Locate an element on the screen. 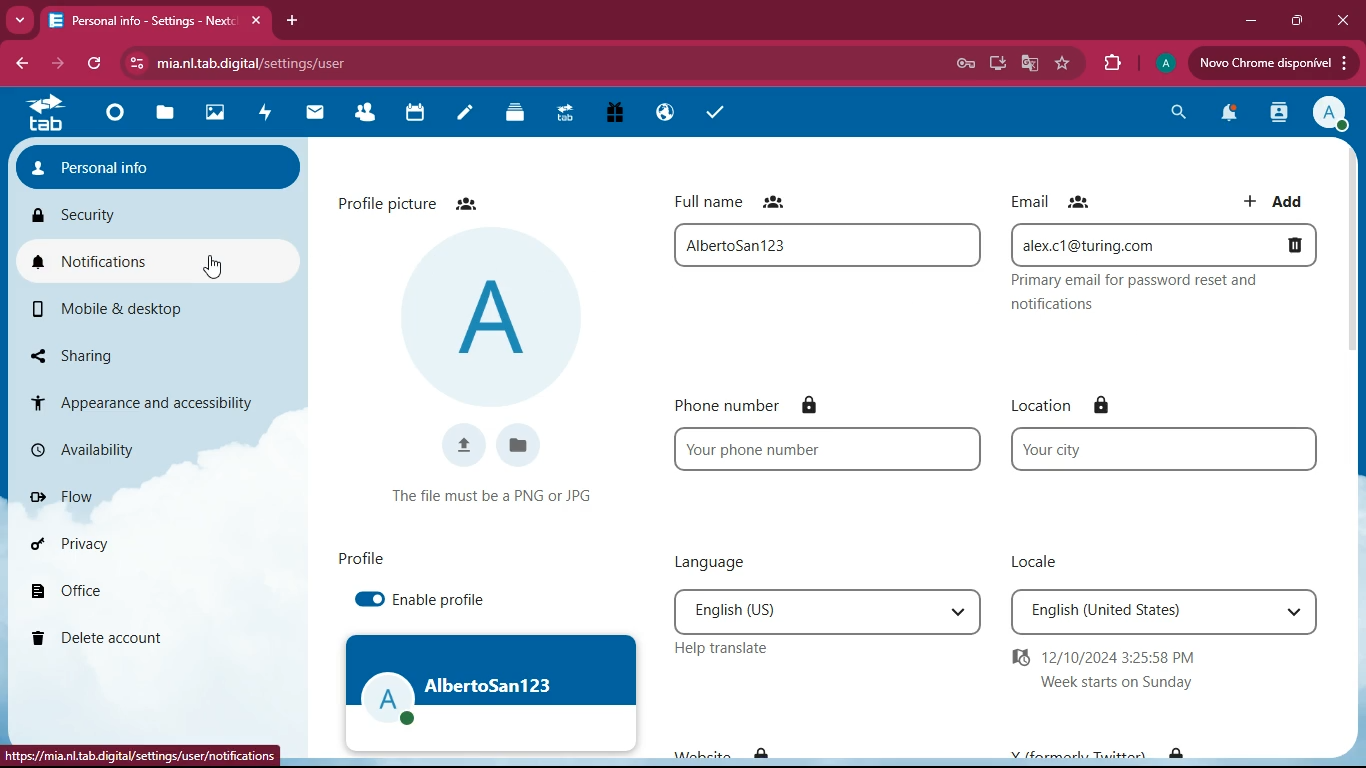  location is located at coordinates (1052, 406).